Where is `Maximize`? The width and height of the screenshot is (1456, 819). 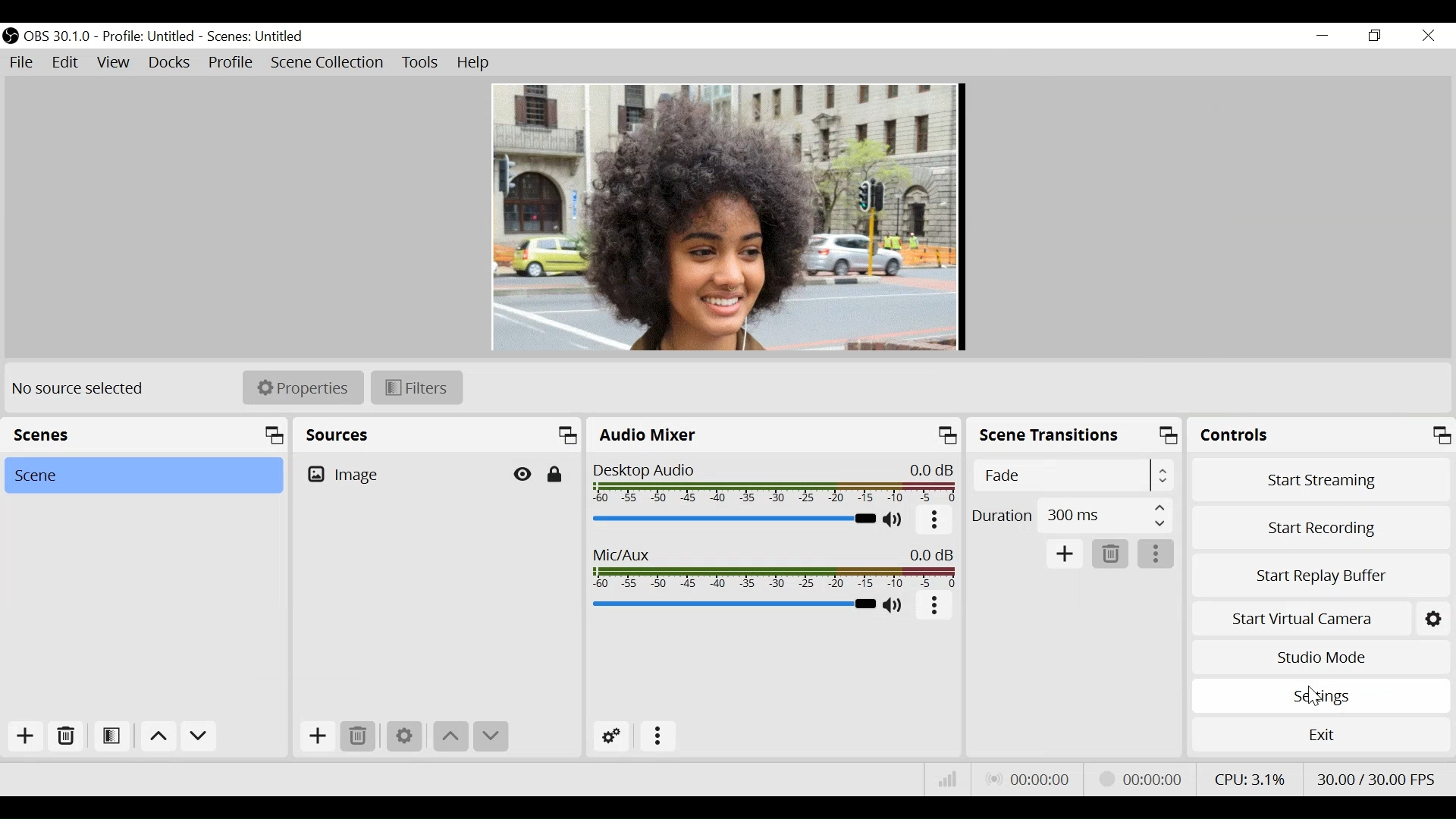
Maximize is located at coordinates (1442, 437).